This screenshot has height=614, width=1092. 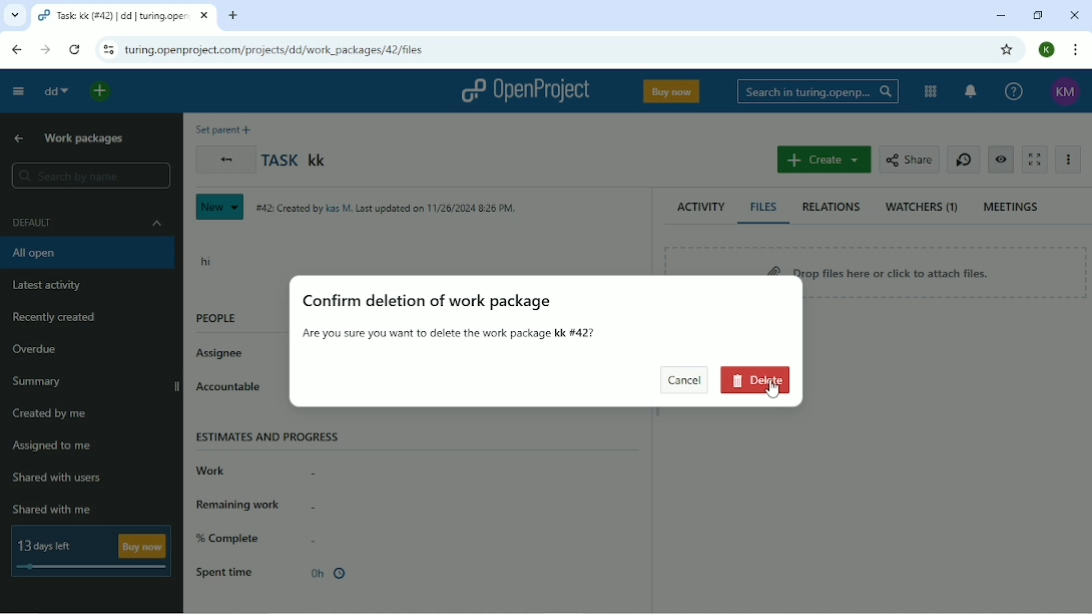 I want to click on hi, so click(x=206, y=259).